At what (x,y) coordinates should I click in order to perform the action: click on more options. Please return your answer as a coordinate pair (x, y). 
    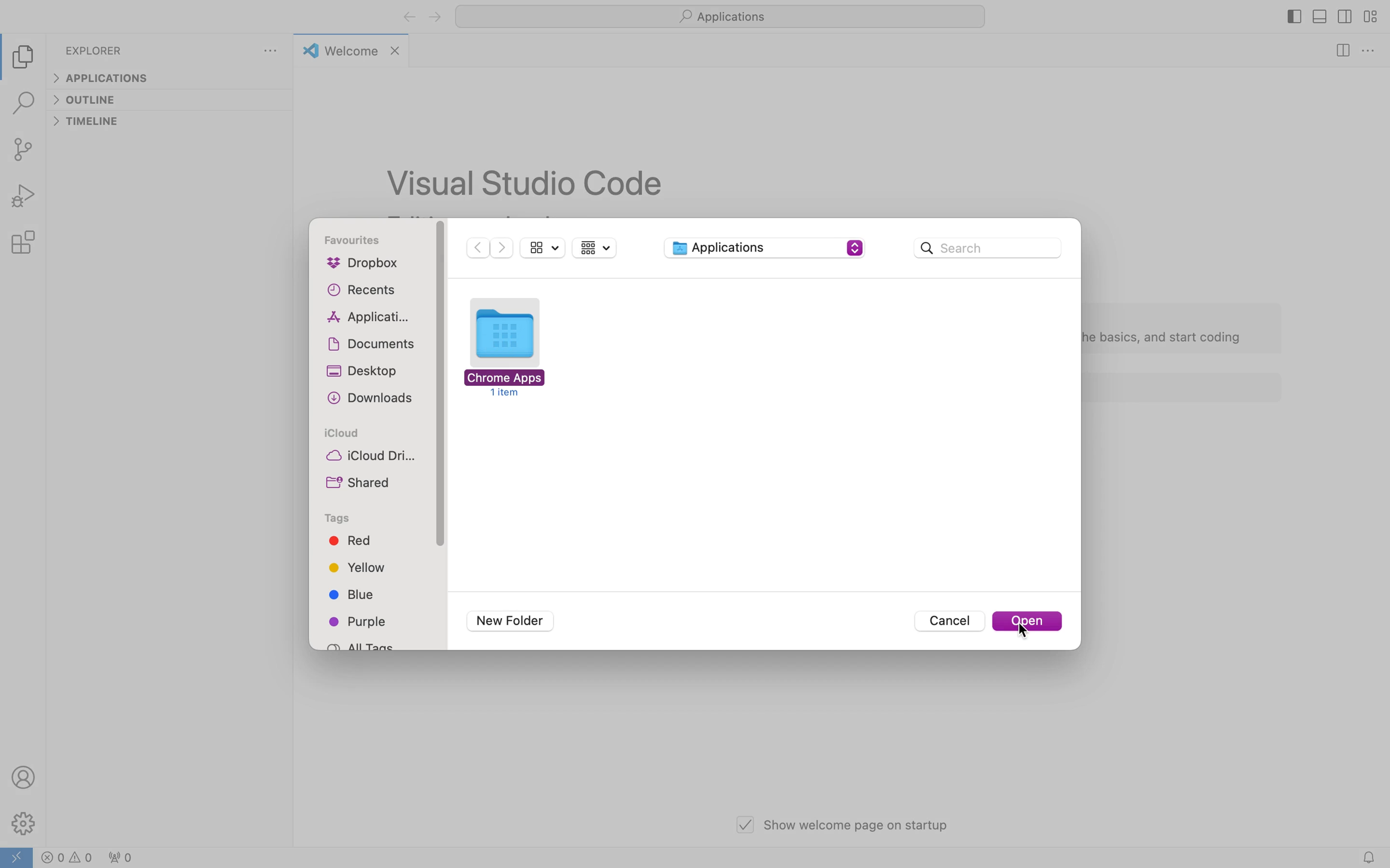
    Looking at the image, I should click on (1368, 53).